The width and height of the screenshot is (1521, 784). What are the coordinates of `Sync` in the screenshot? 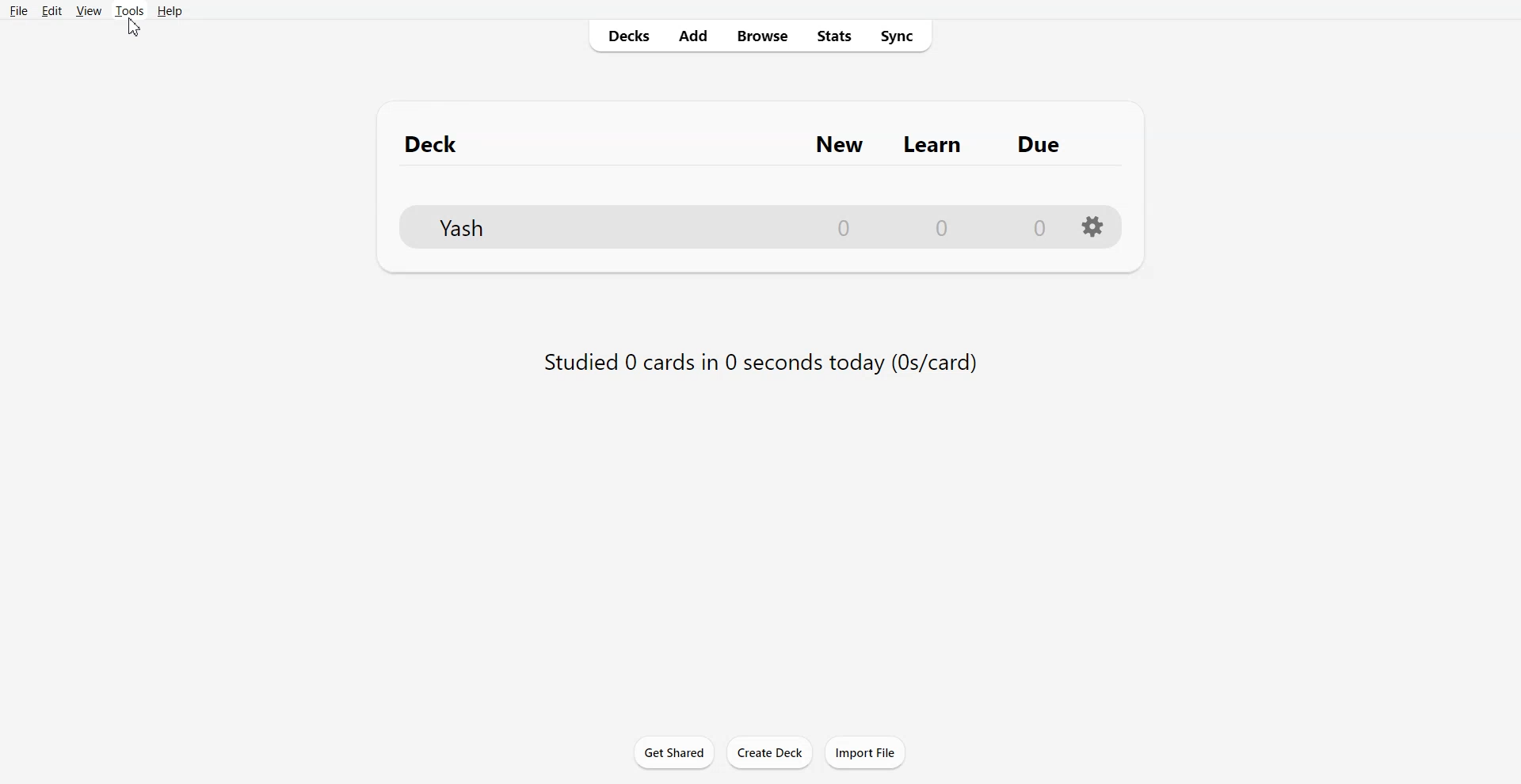 It's located at (900, 35).